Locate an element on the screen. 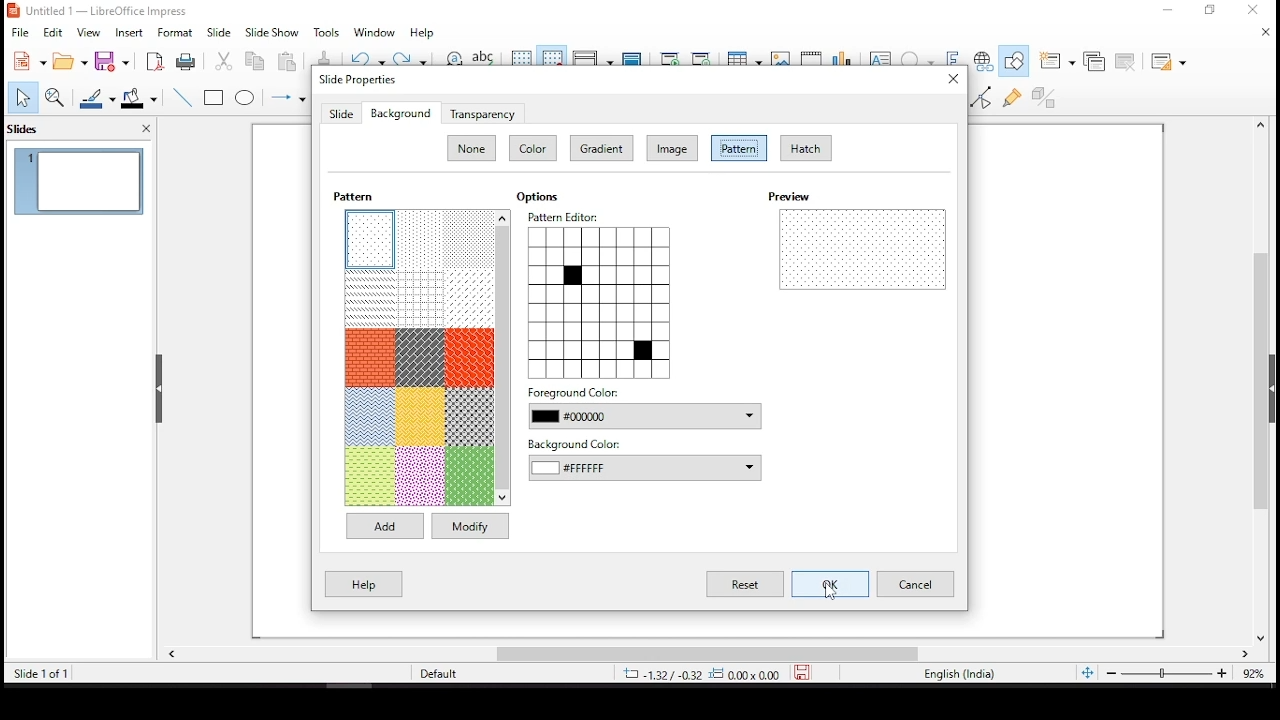  pattern is located at coordinates (470, 476).